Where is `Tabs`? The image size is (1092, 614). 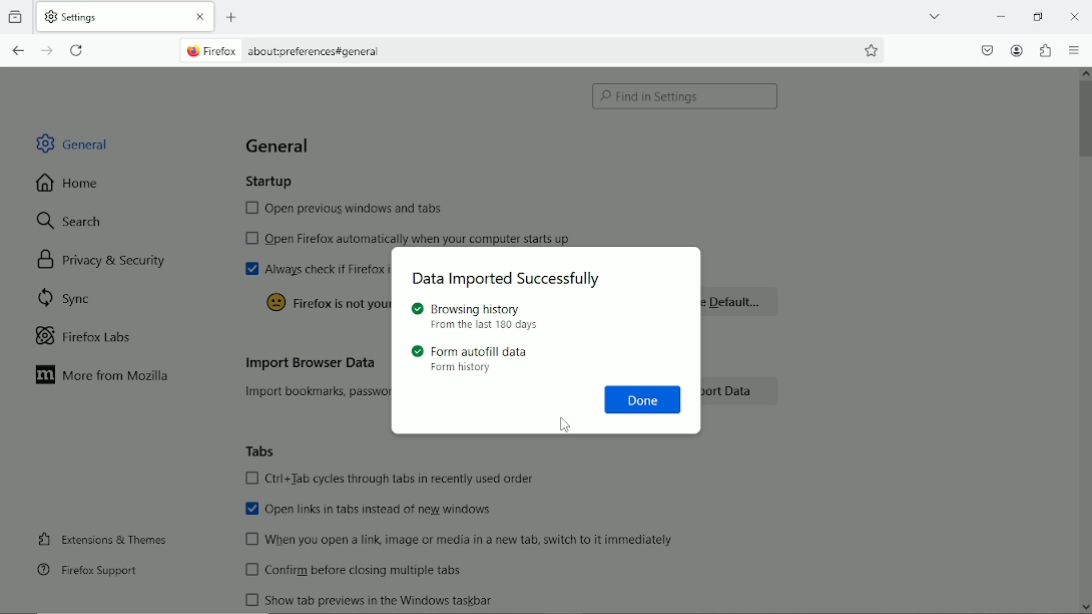
Tabs is located at coordinates (262, 450).